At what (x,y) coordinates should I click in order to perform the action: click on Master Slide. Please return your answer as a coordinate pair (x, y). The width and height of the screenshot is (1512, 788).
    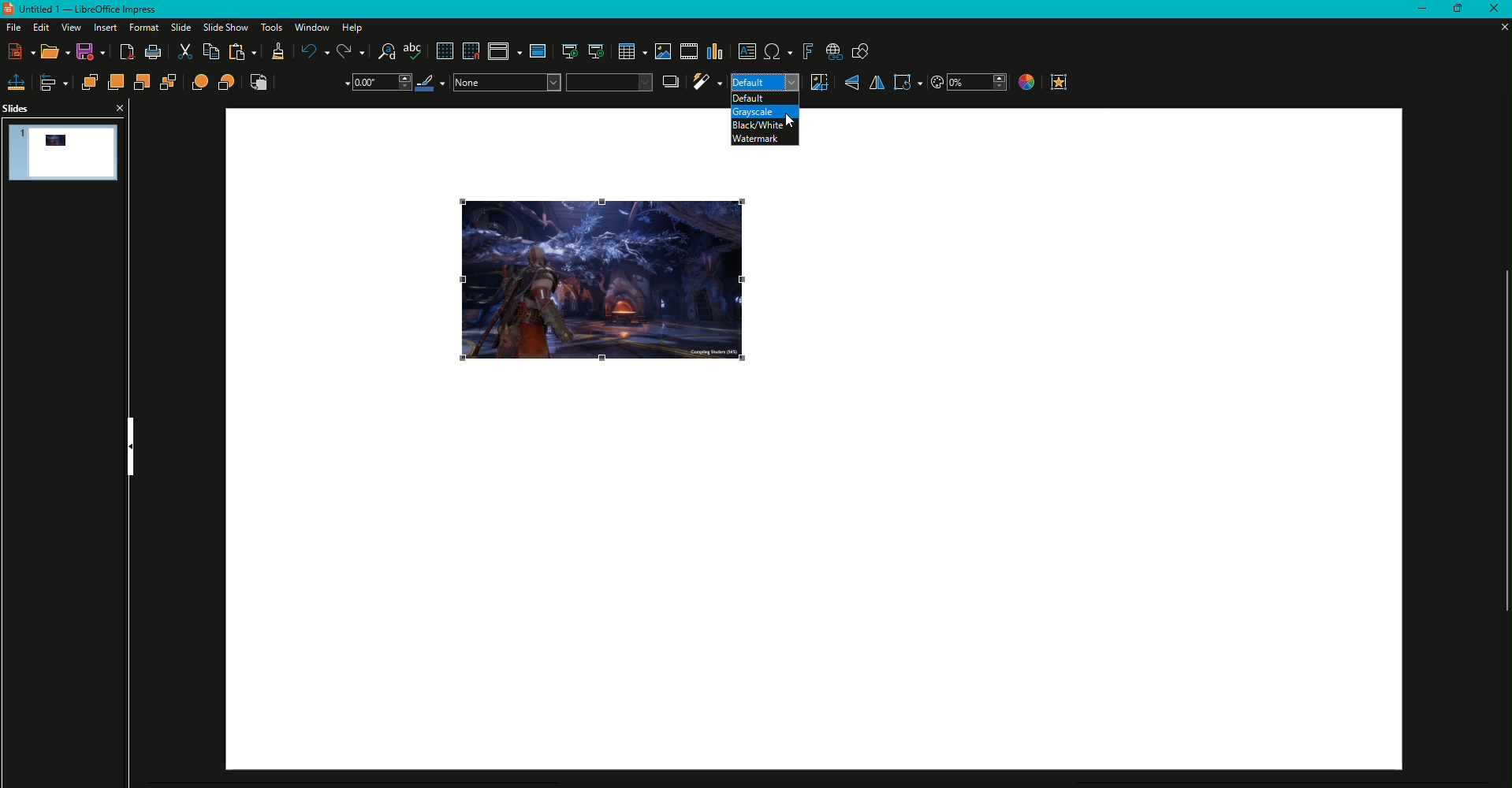
    Looking at the image, I should click on (538, 51).